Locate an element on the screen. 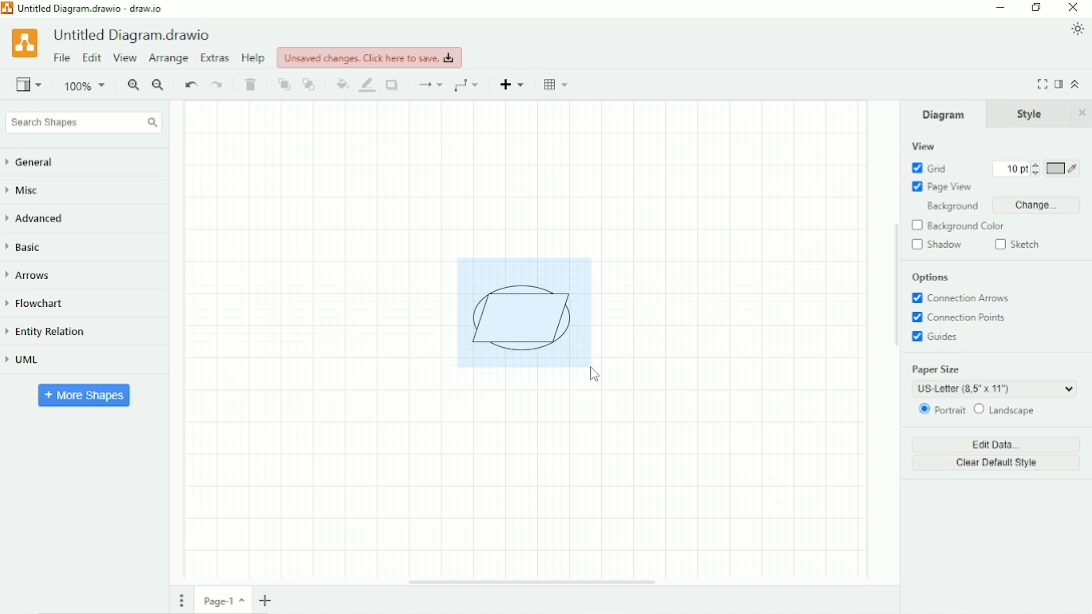  Zoom factor is located at coordinates (86, 86).